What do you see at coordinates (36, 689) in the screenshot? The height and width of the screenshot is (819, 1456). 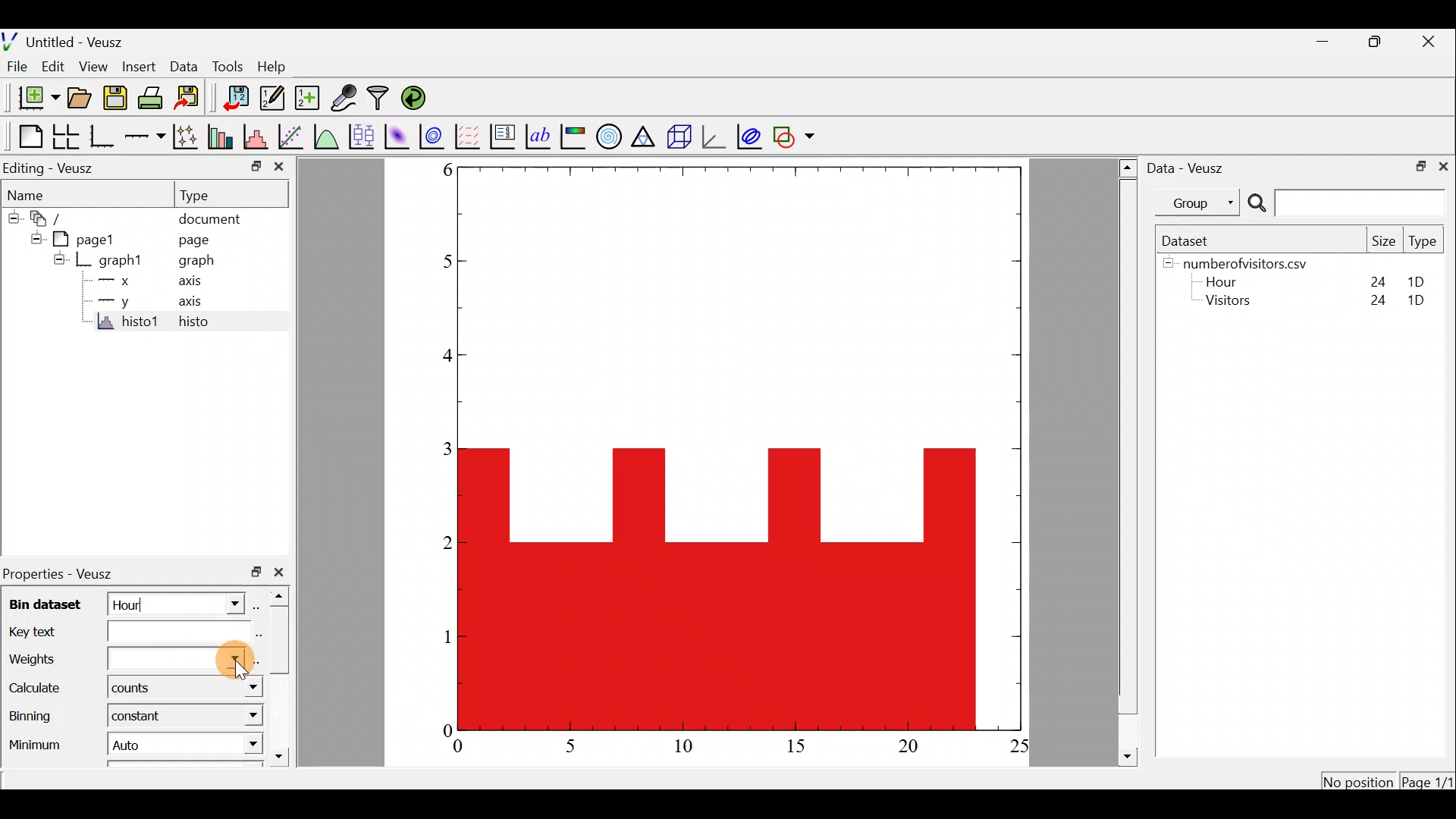 I see `Calculate` at bounding box center [36, 689].